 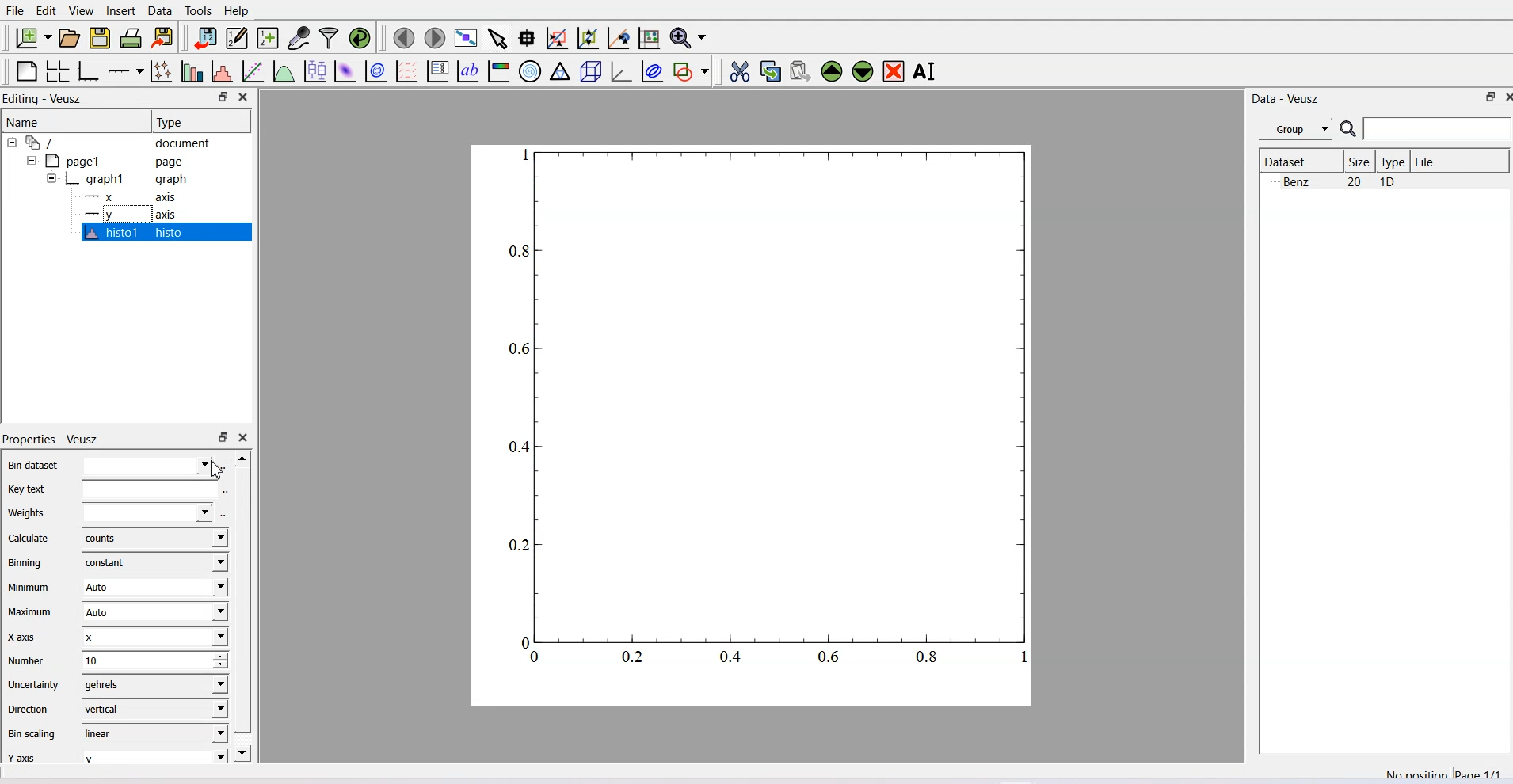 What do you see at coordinates (360, 37) in the screenshot?
I see `Reload linked dataset` at bounding box center [360, 37].